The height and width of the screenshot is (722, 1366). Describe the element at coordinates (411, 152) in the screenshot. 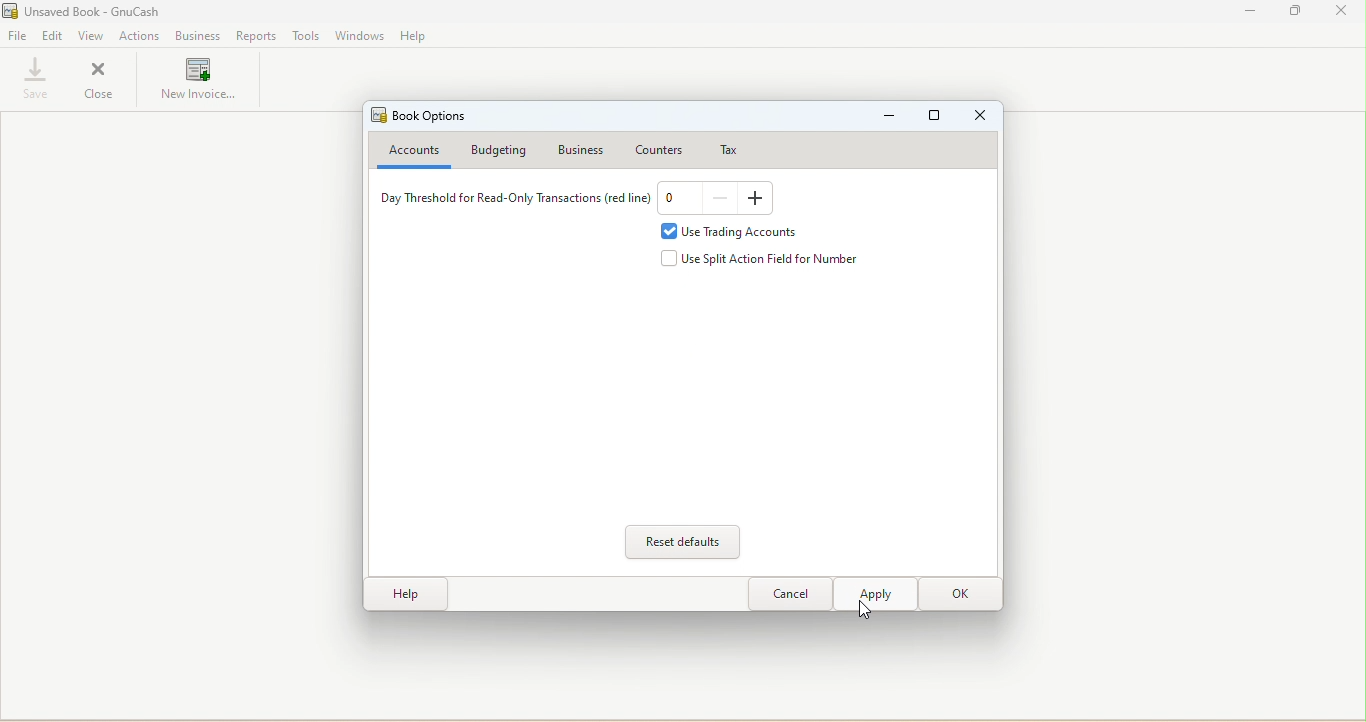

I see `Accounts` at that location.